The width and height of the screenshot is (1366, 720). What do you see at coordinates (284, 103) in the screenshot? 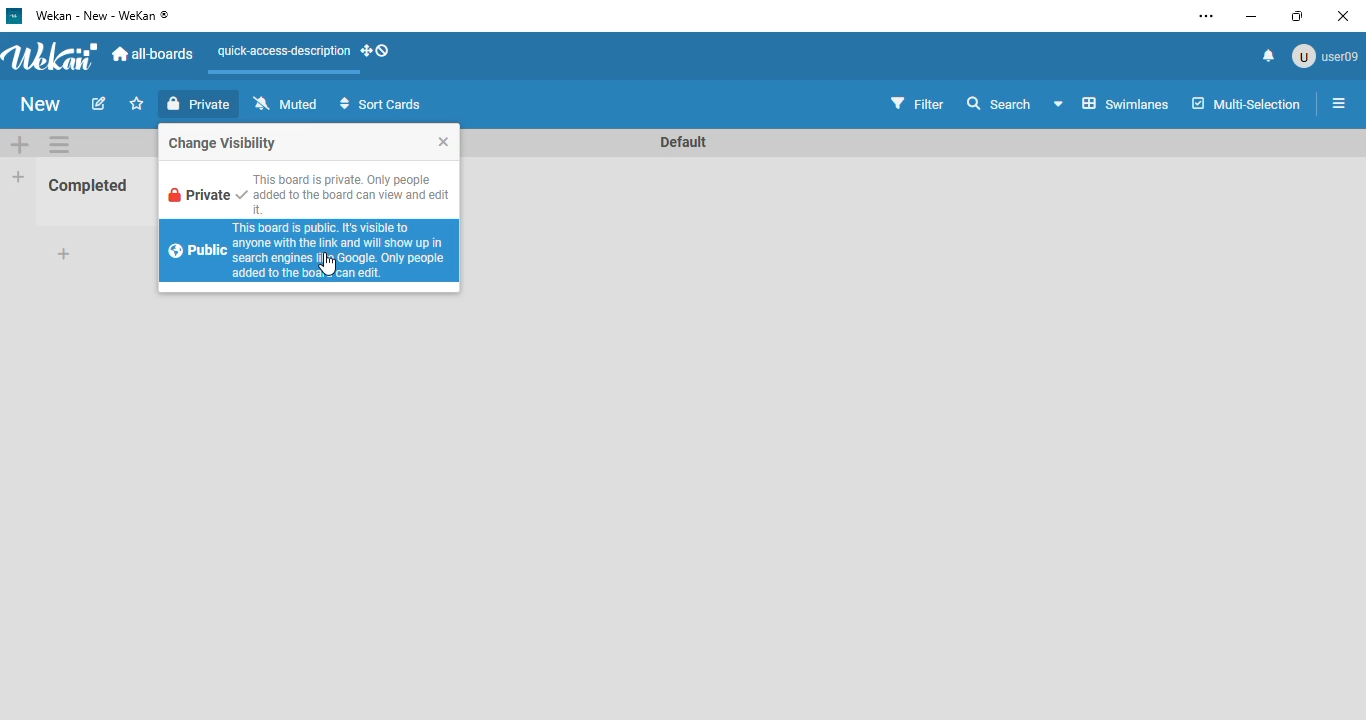
I see `muted` at bounding box center [284, 103].